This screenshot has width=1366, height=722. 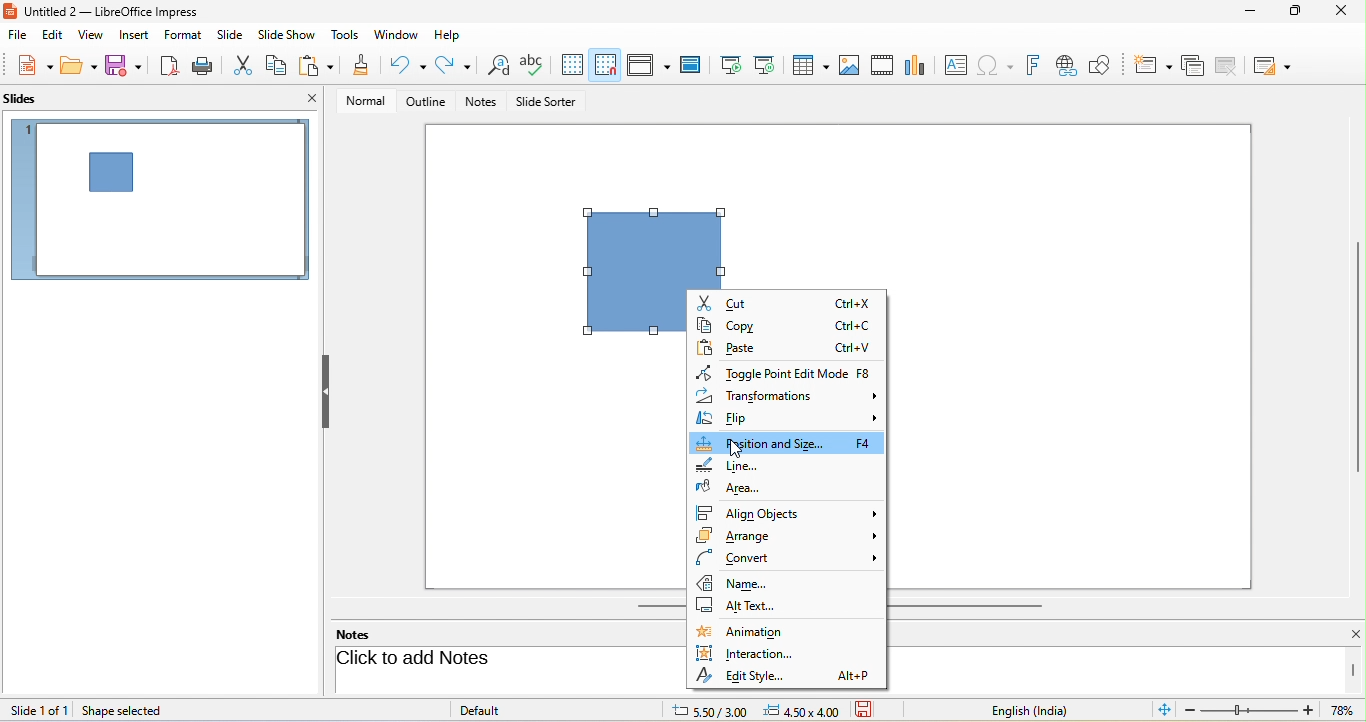 I want to click on text box, so click(x=953, y=65).